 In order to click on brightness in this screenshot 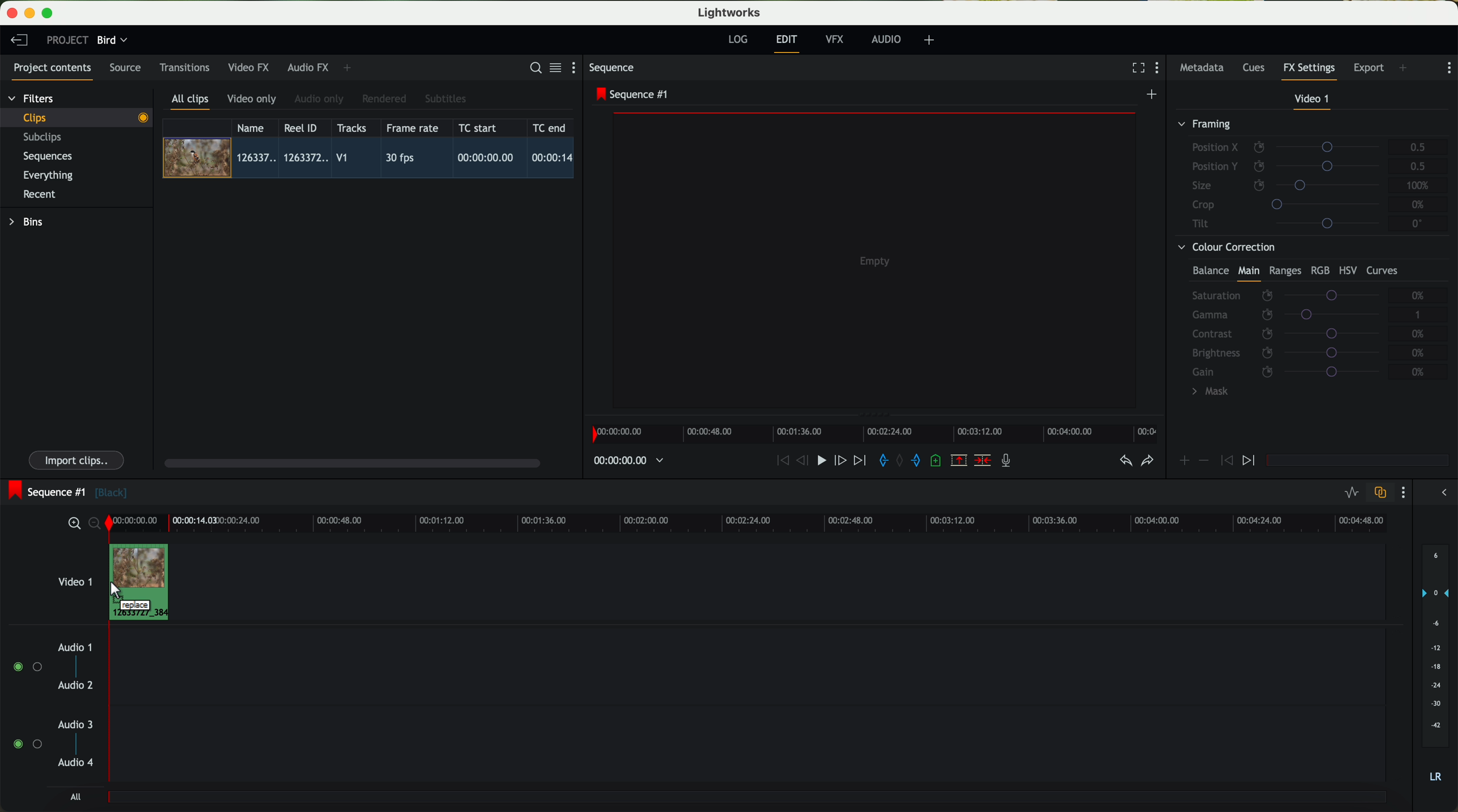, I will do `click(1293, 353)`.